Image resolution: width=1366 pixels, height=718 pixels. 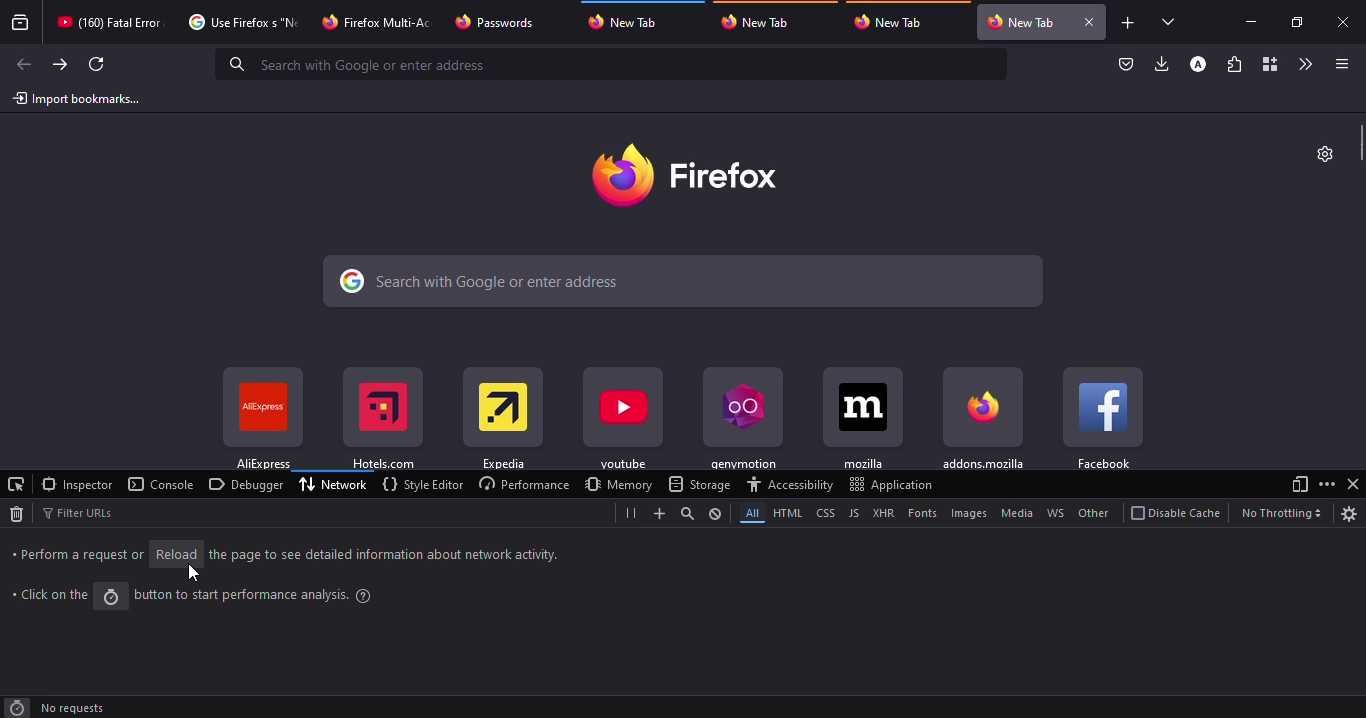 What do you see at coordinates (785, 512) in the screenshot?
I see `html` at bounding box center [785, 512].